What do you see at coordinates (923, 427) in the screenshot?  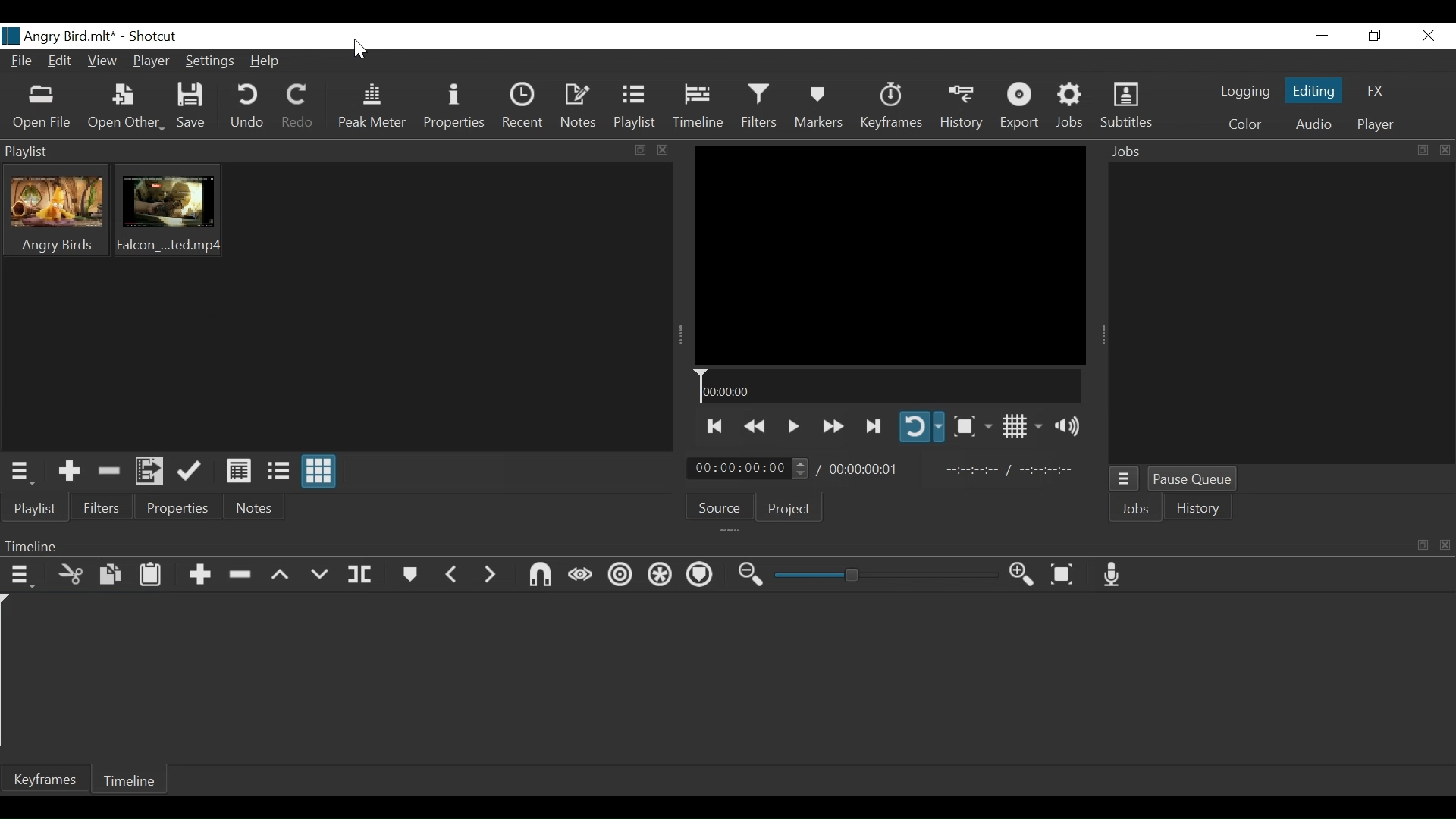 I see `Toggle player looping` at bounding box center [923, 427].